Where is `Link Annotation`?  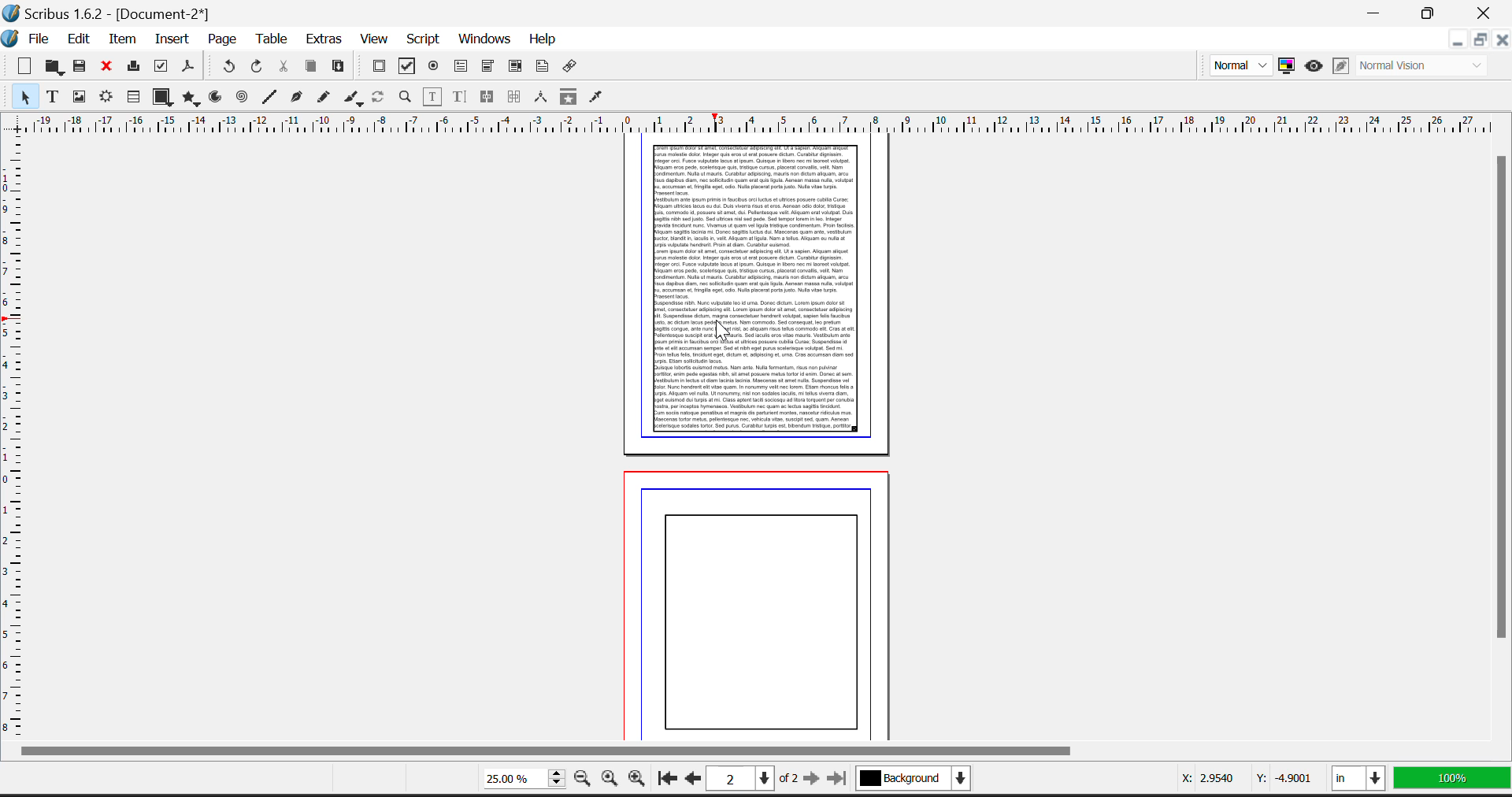
Link Annotation is located at coordinates (573, 69).